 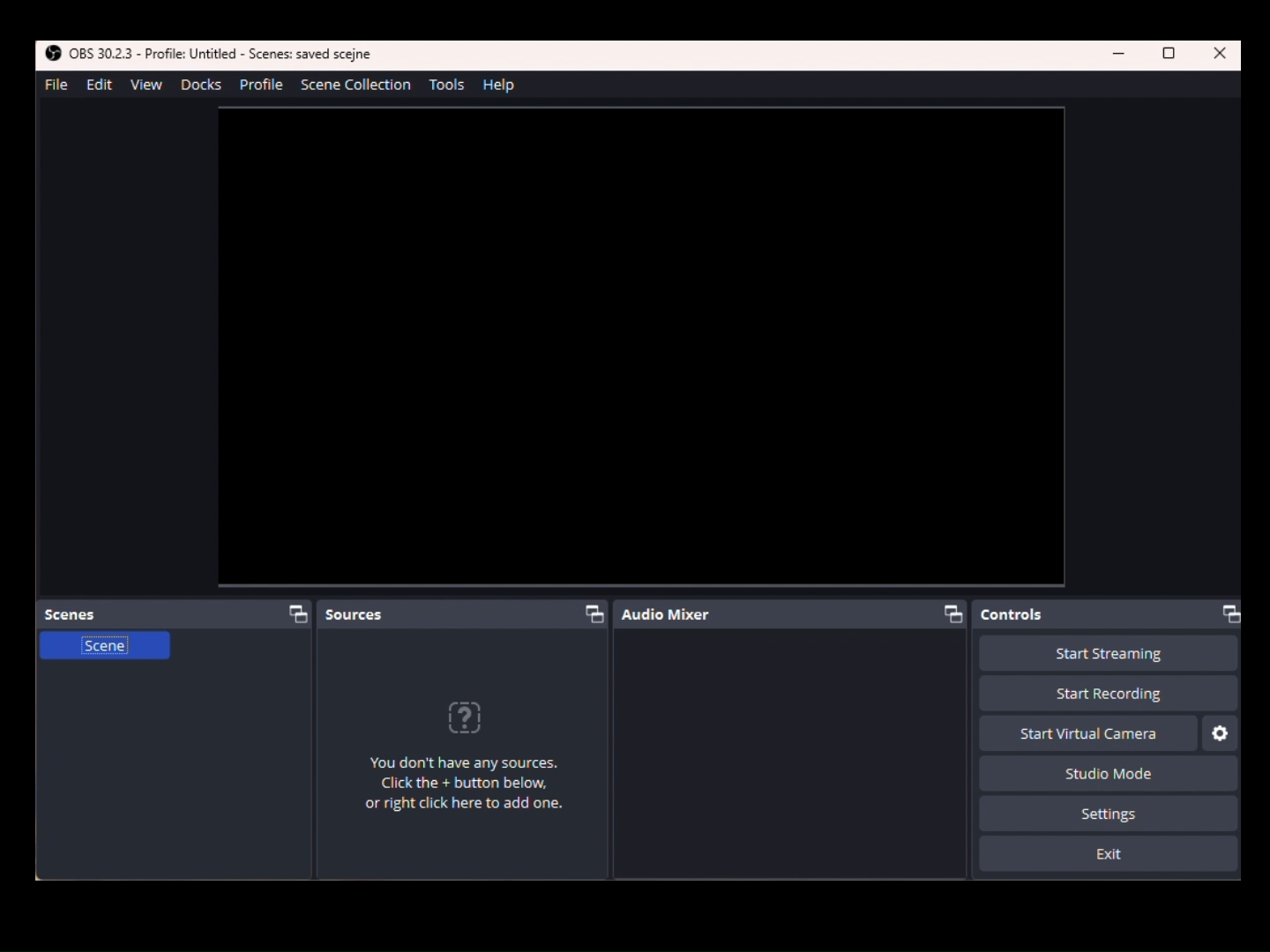 What do you see at coordinates (1221, 733) in the screenshot?
I see `Settings` at bounding box center [1221, 733].